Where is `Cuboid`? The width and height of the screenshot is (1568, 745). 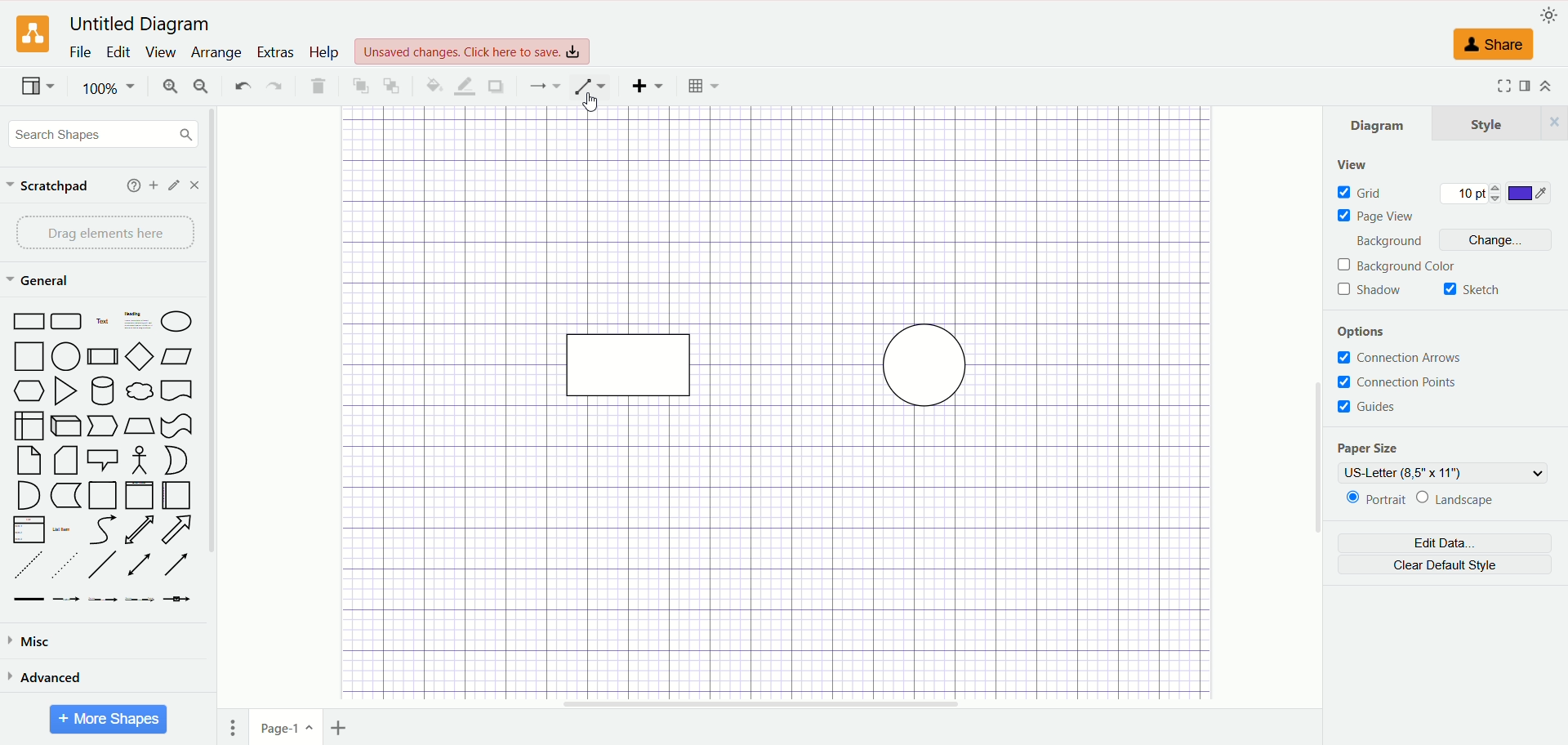 Cuboid is located at coordinates (68, 426).